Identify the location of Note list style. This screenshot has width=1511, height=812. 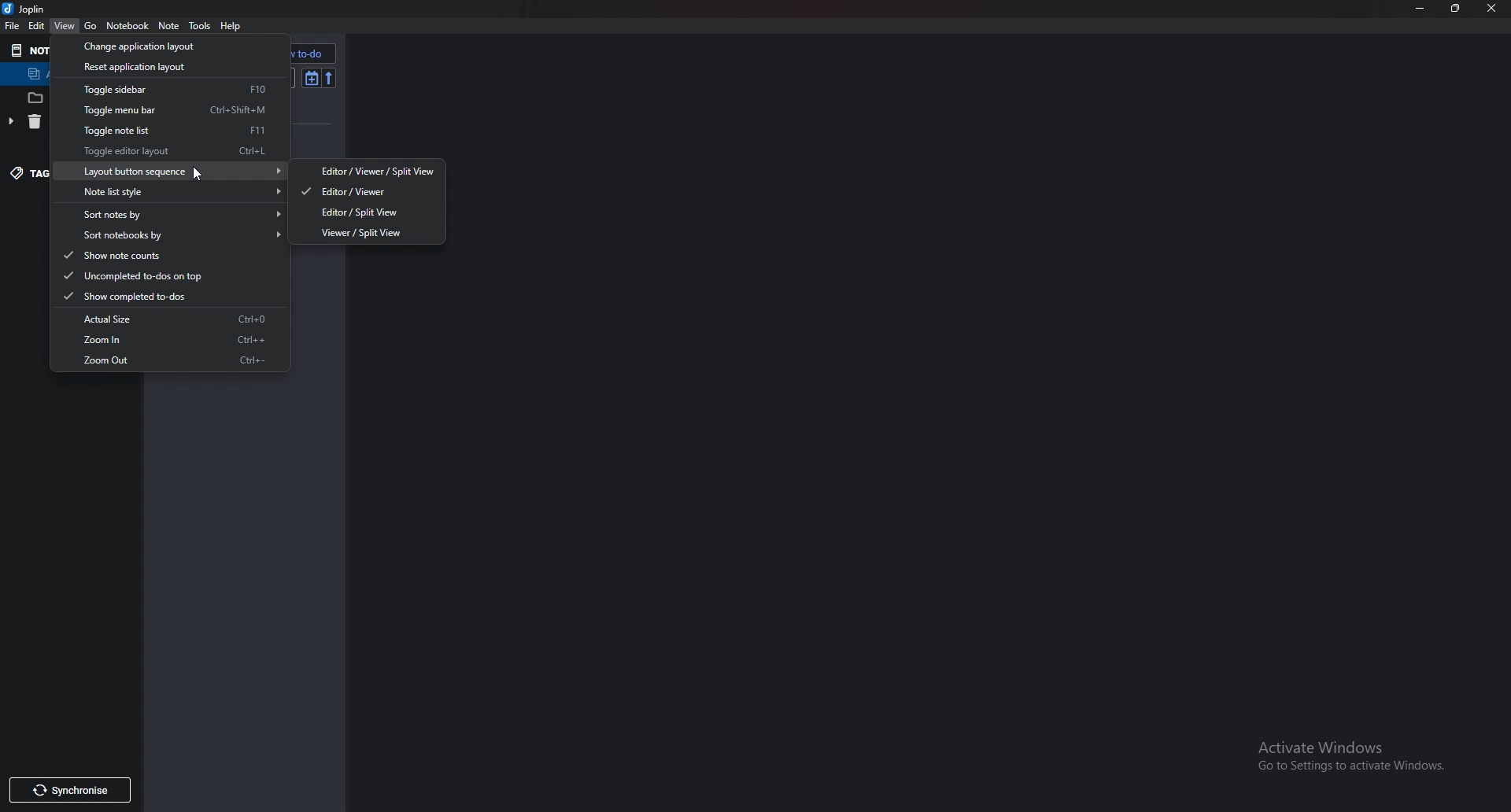
(175, 191).